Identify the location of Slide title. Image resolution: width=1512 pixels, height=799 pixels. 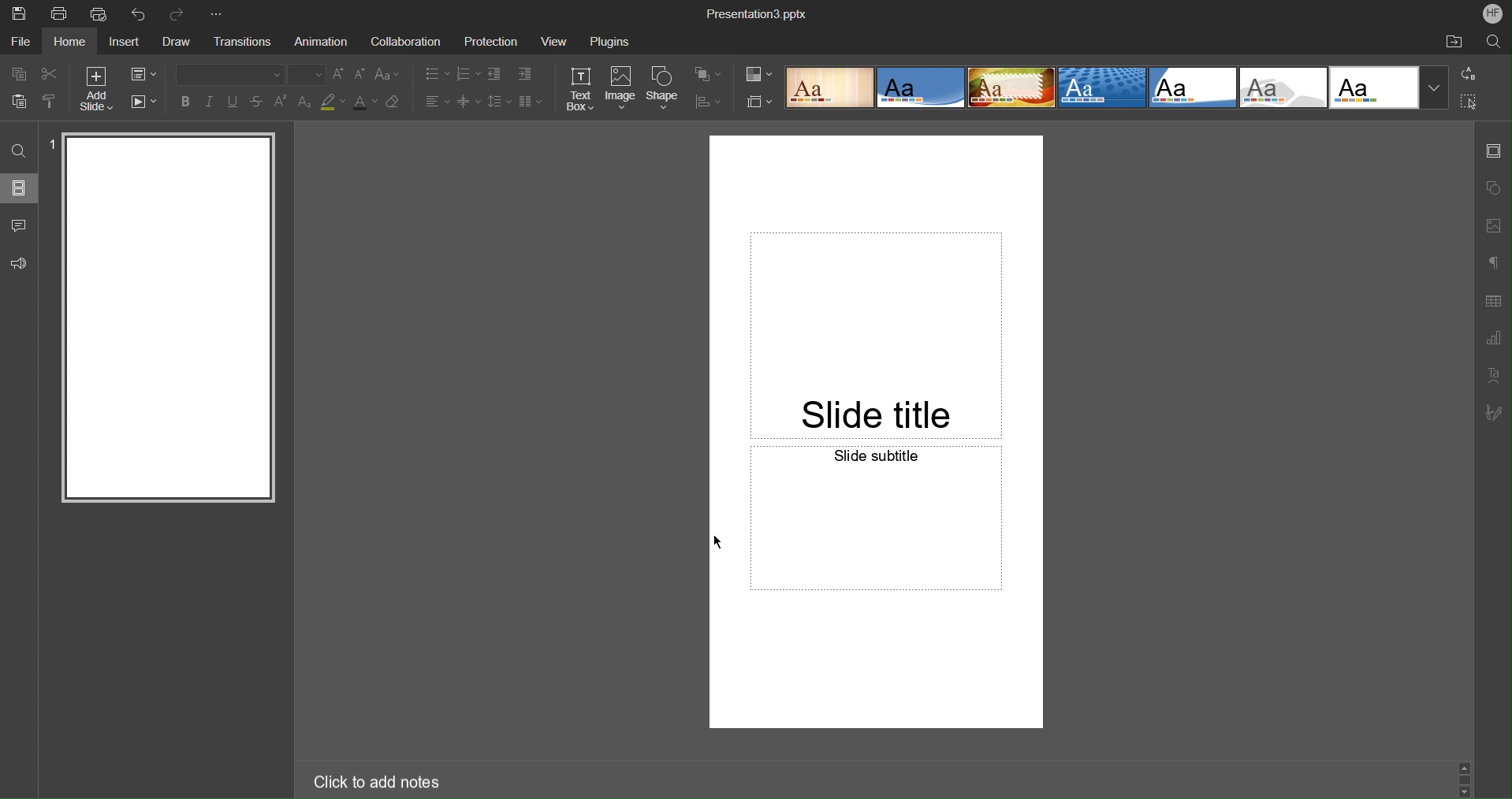
(874, 290).